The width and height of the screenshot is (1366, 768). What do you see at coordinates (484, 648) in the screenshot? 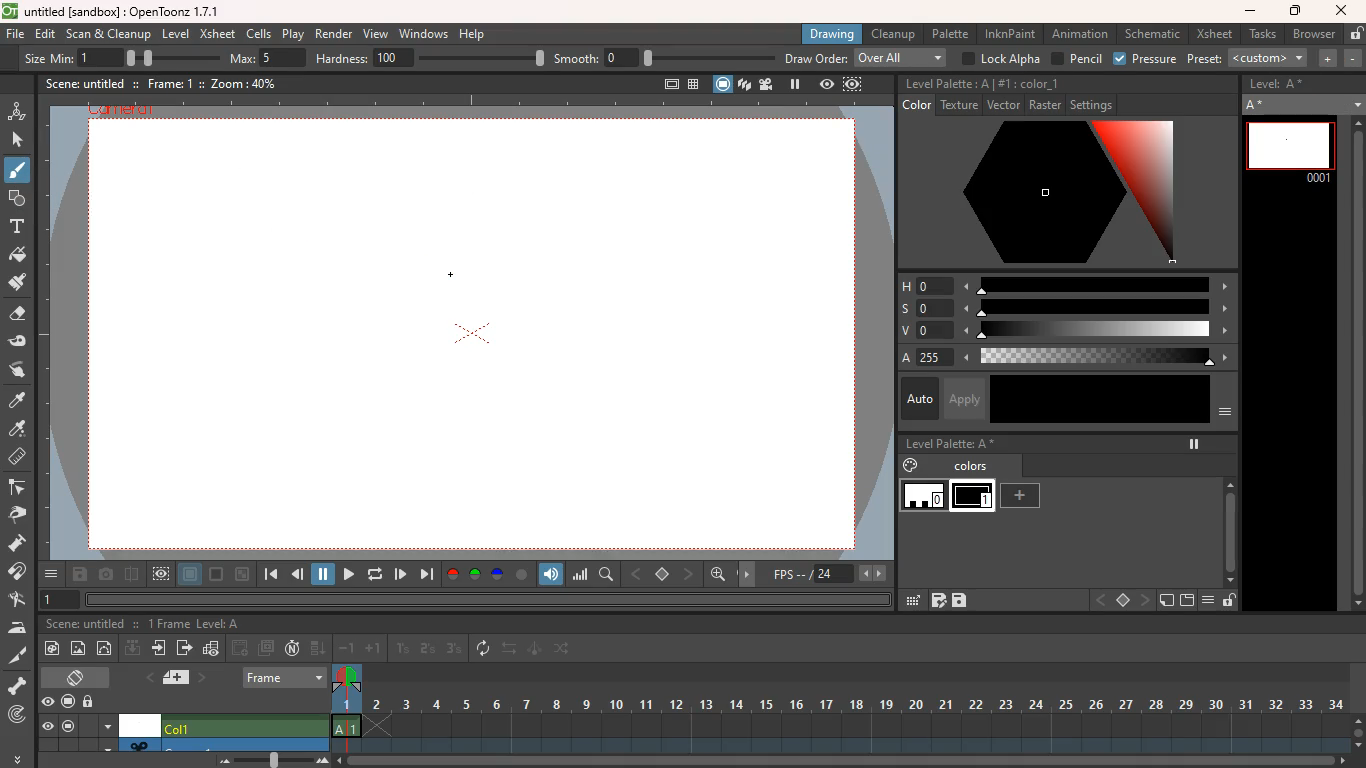
I see `refresh` at bounding box center [484, 648].